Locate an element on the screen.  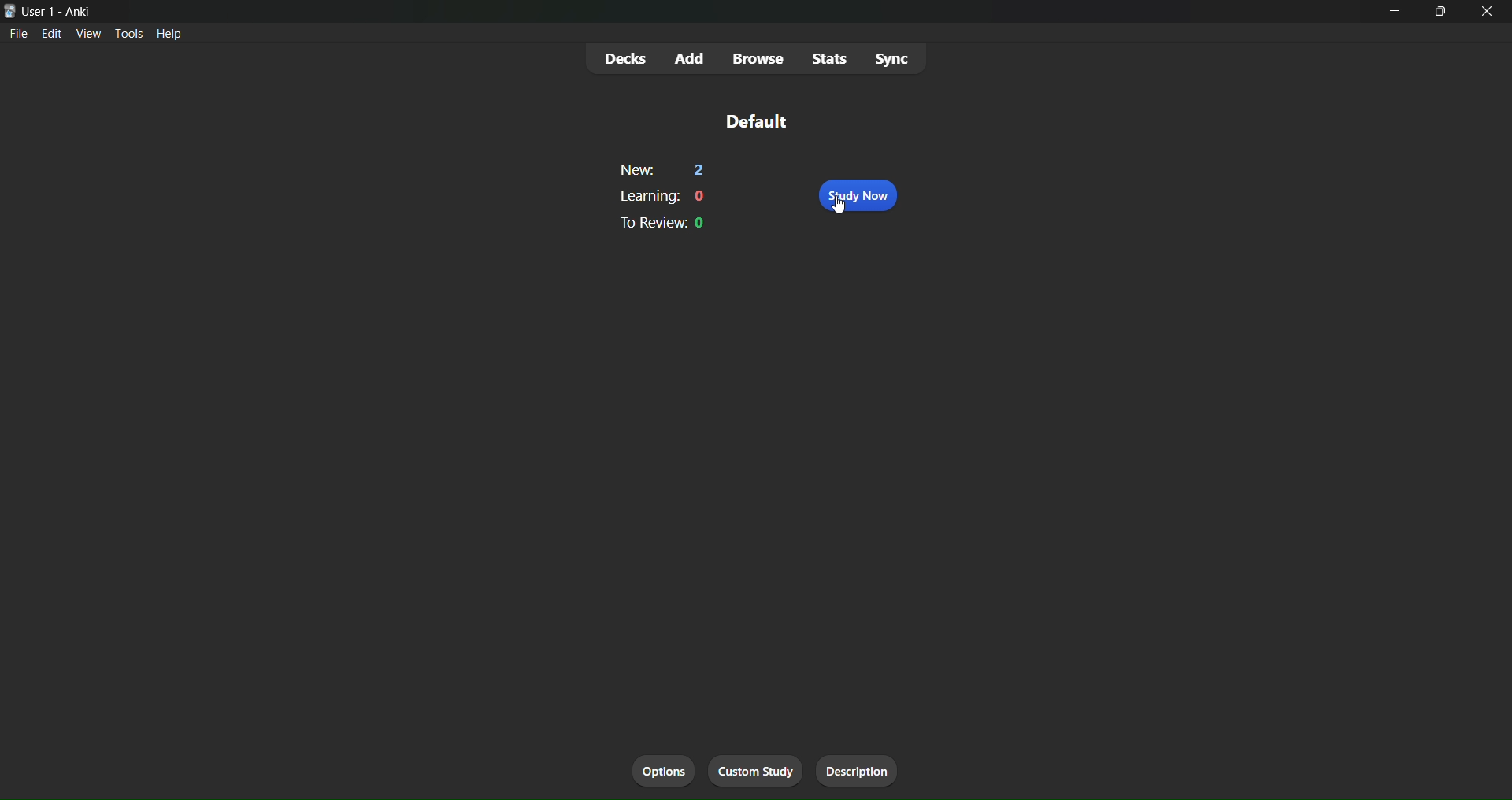
logo is located at coordinates (9, 9).